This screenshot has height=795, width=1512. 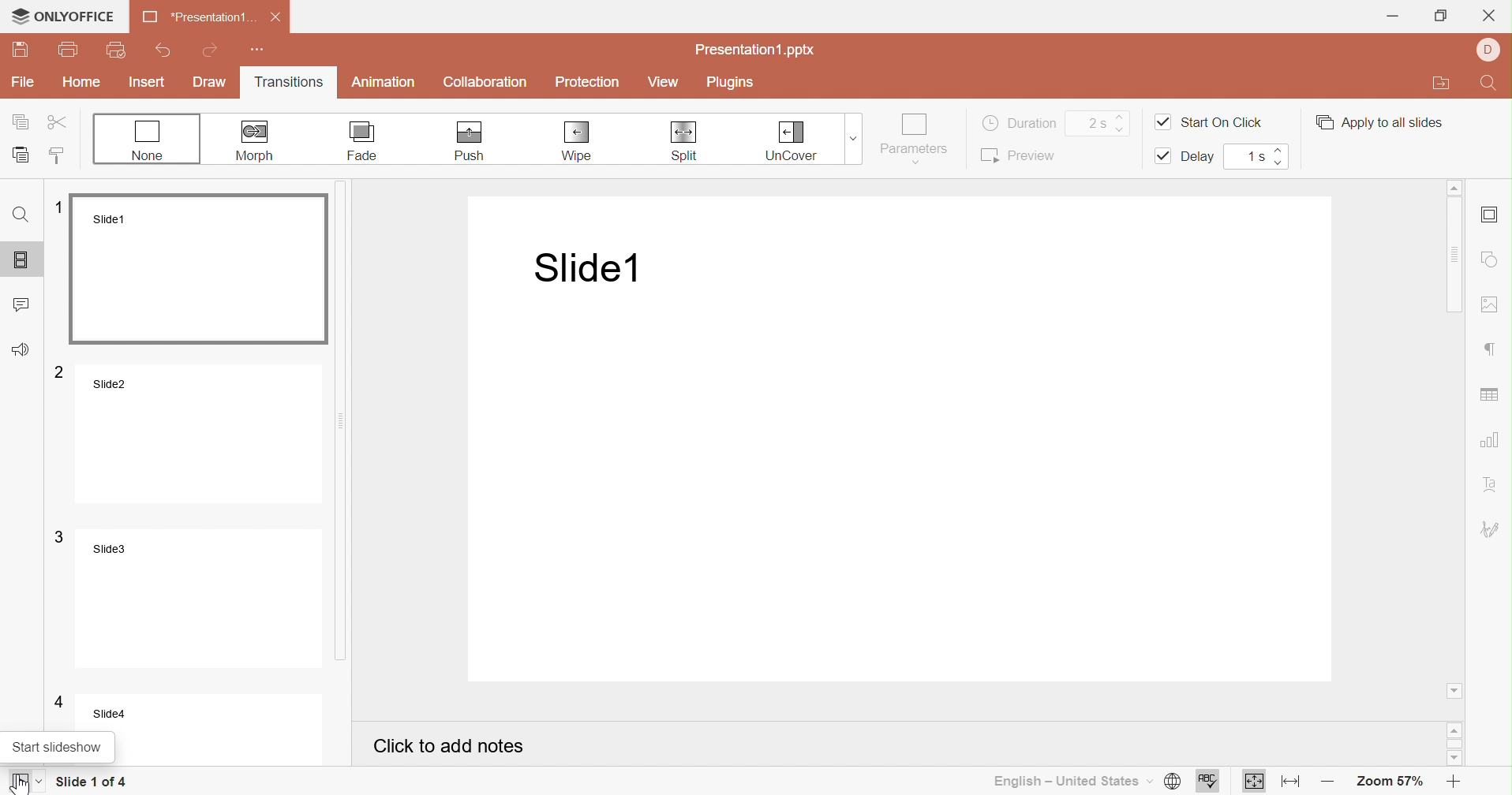 What do you see at coordinates (577, 140) in the screenshot?
I see `Wipe` at bounding box center [577, 140].